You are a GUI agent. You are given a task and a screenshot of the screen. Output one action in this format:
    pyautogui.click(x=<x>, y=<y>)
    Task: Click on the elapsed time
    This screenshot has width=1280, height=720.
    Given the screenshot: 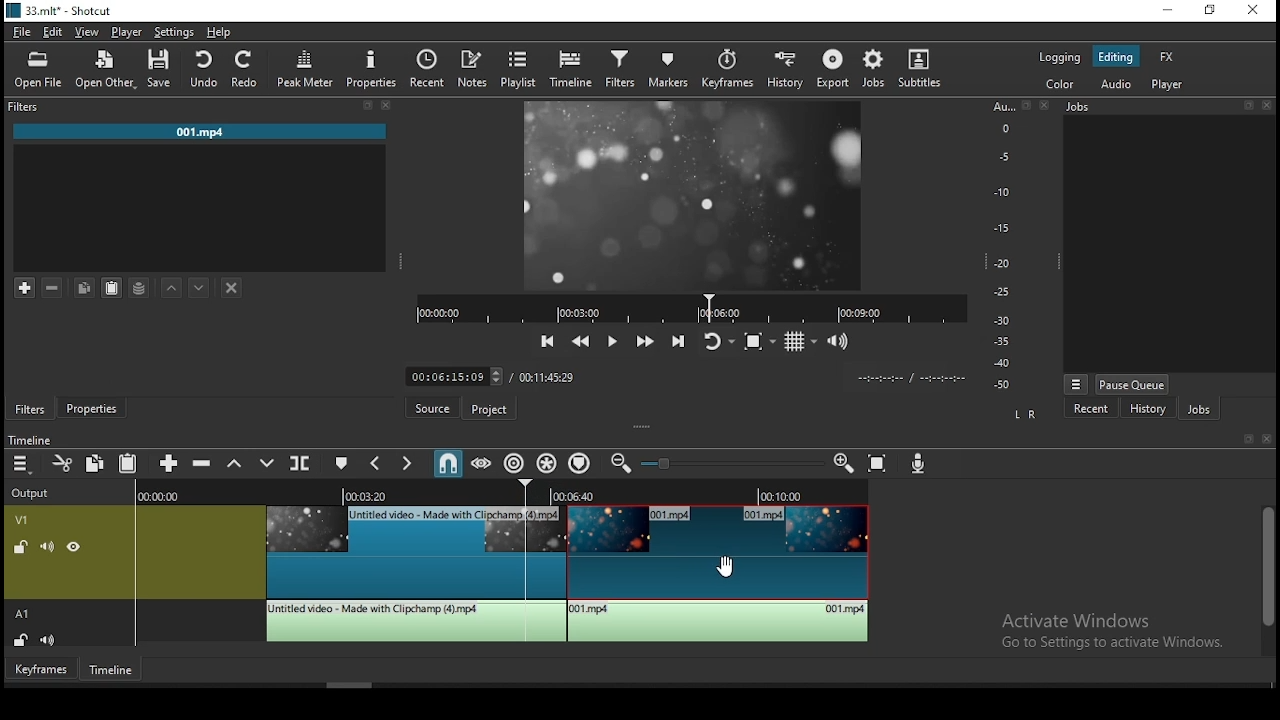 What is the action you would take?
    pyautogui.click(x=440, y=376)
    